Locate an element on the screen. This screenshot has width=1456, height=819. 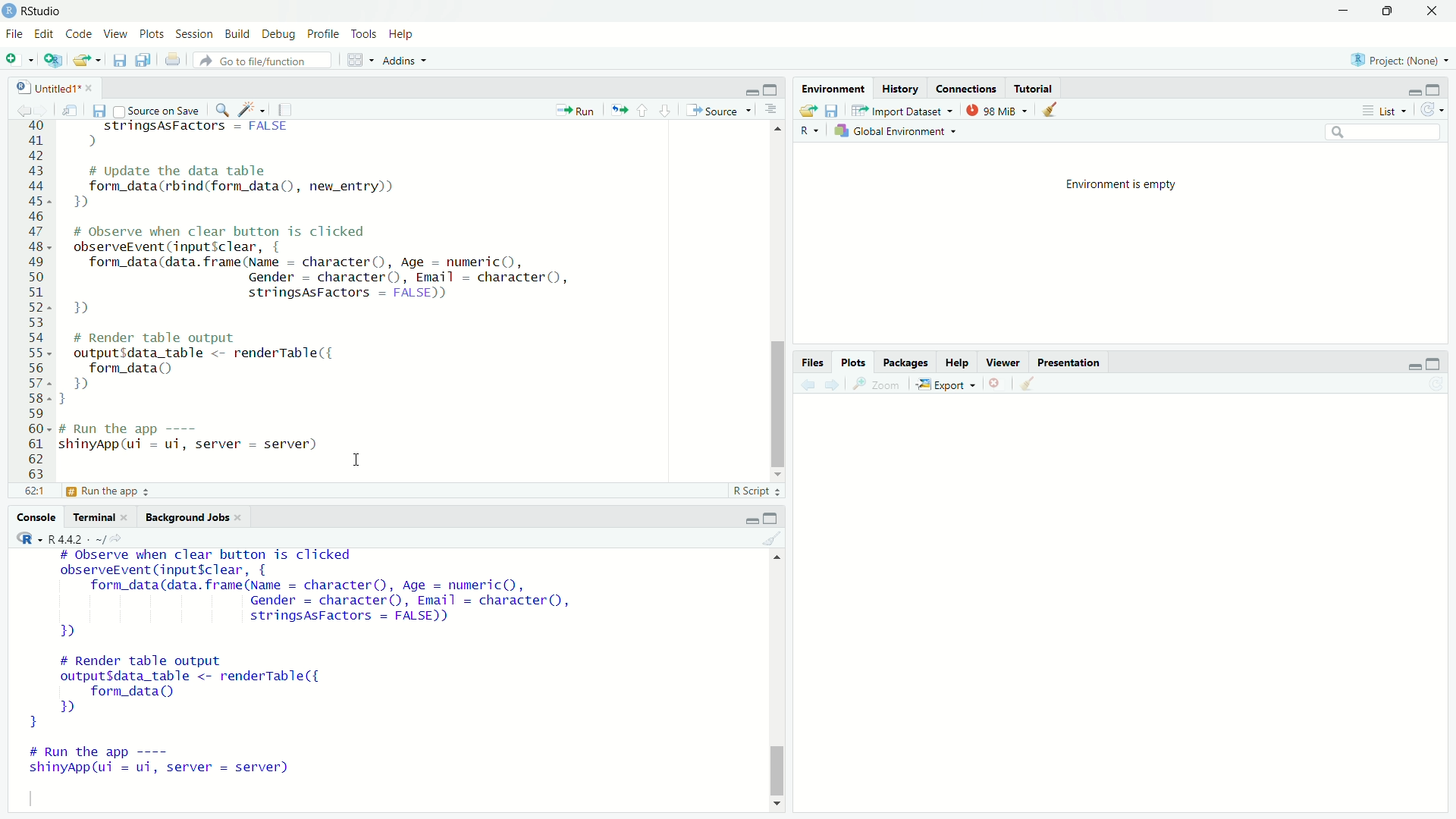
go to previous section/chunk is located at coordinates (644, 110).